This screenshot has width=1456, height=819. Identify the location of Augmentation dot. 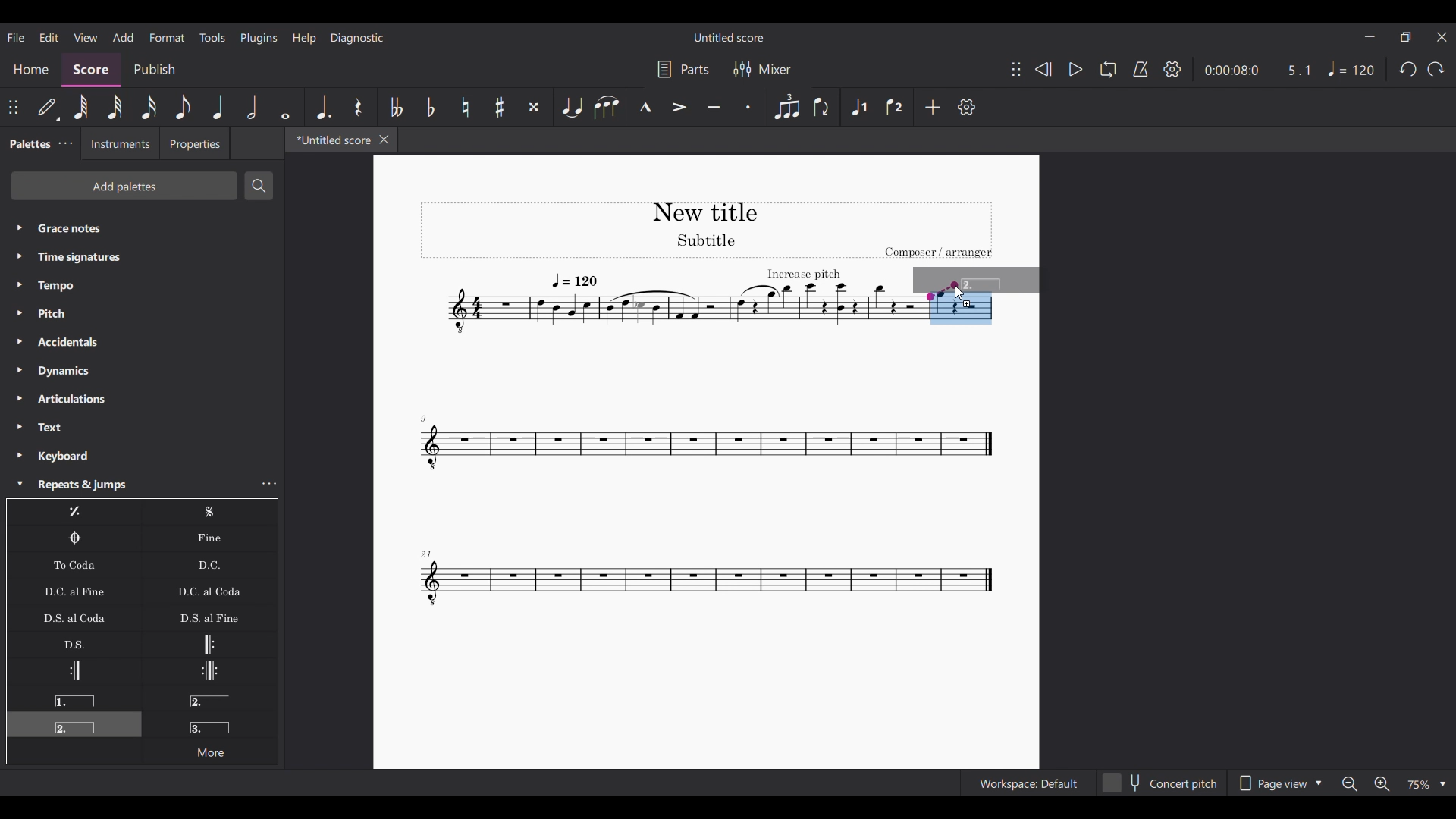
(323, 107).